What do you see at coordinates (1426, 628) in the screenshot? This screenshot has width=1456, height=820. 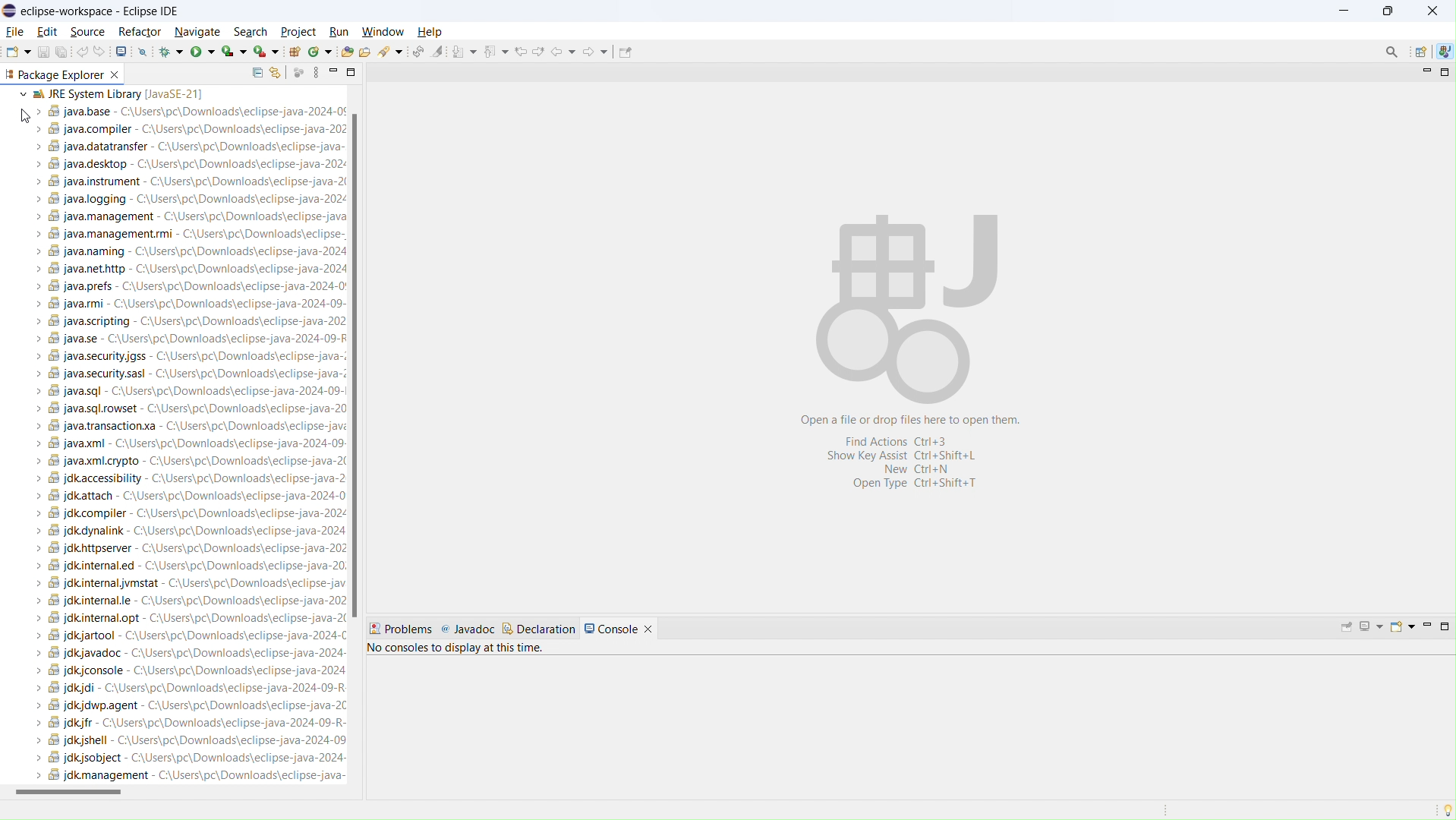 I see `minimize` at bounding box center [1426, 628].